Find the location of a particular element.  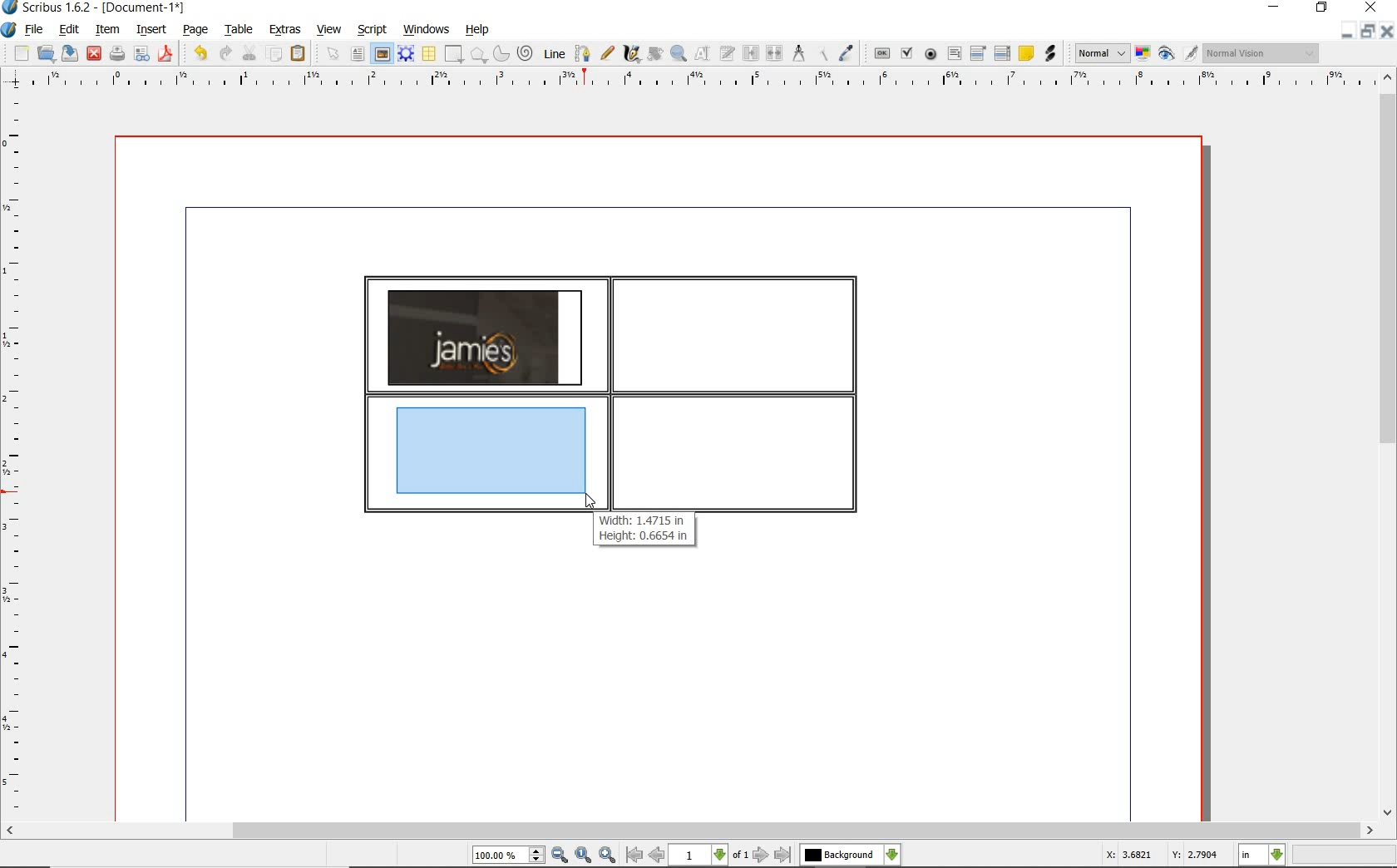

go to previous page is located at coordinates (656, 856).